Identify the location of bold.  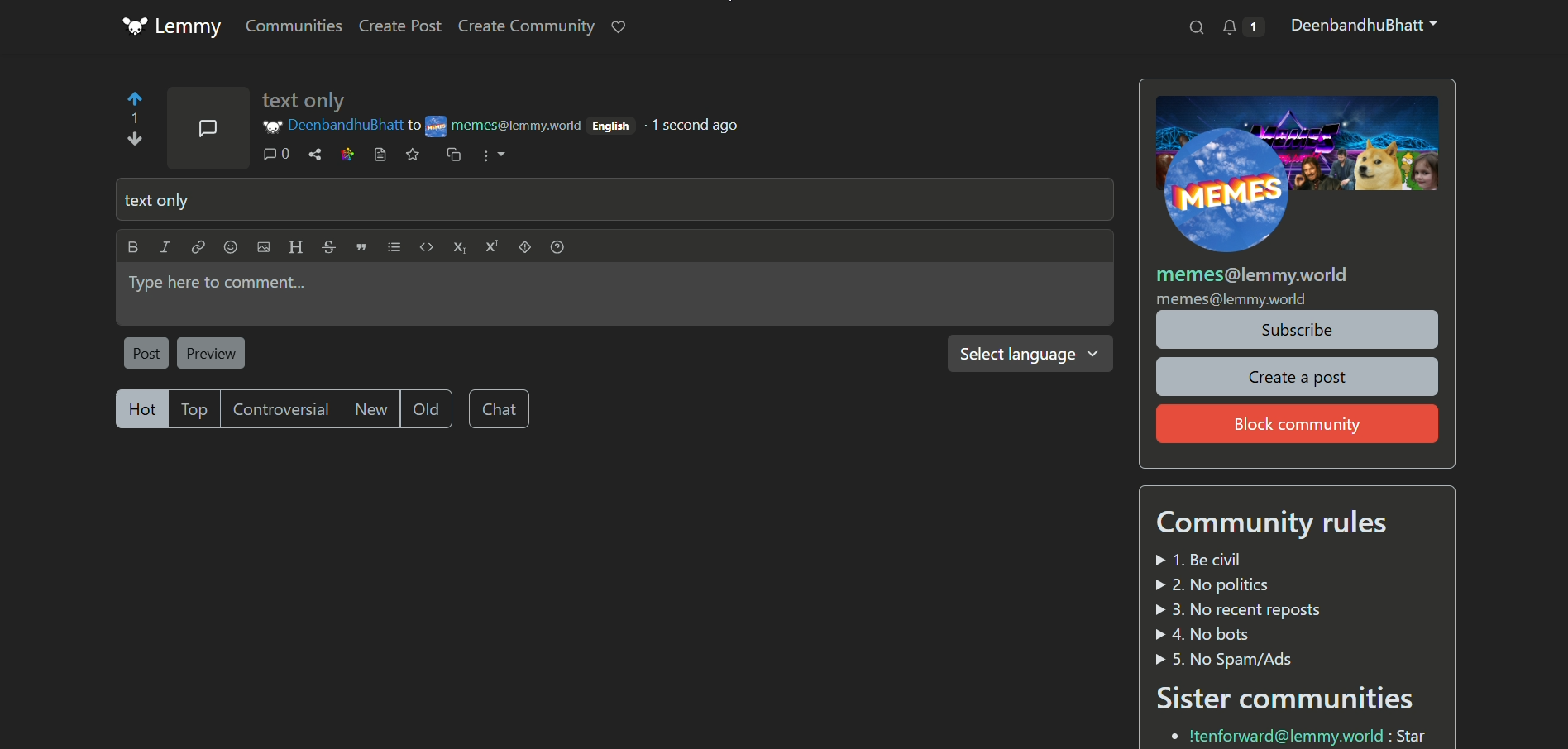
(133, 246).